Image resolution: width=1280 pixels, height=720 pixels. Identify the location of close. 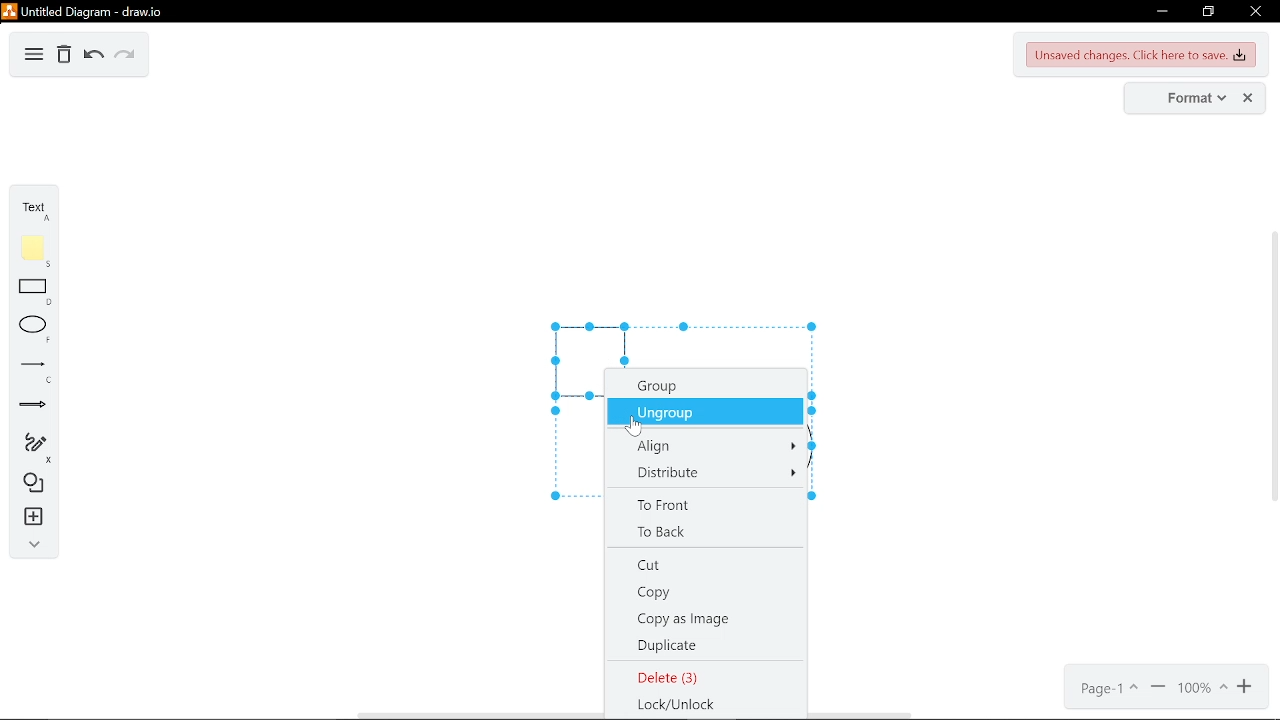
(1256, 11).